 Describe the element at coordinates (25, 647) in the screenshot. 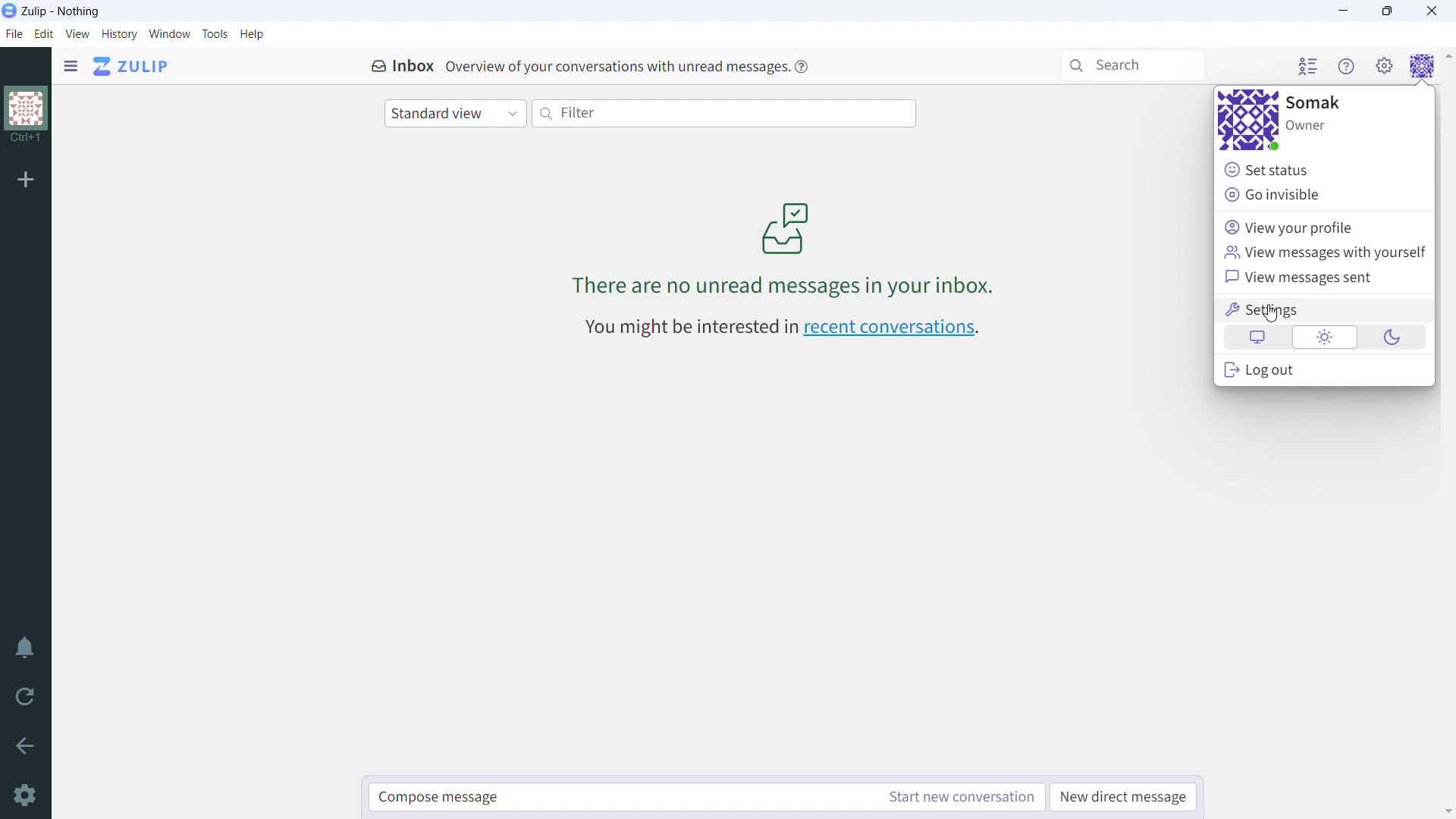

I see `enable do not disturb` at that location.